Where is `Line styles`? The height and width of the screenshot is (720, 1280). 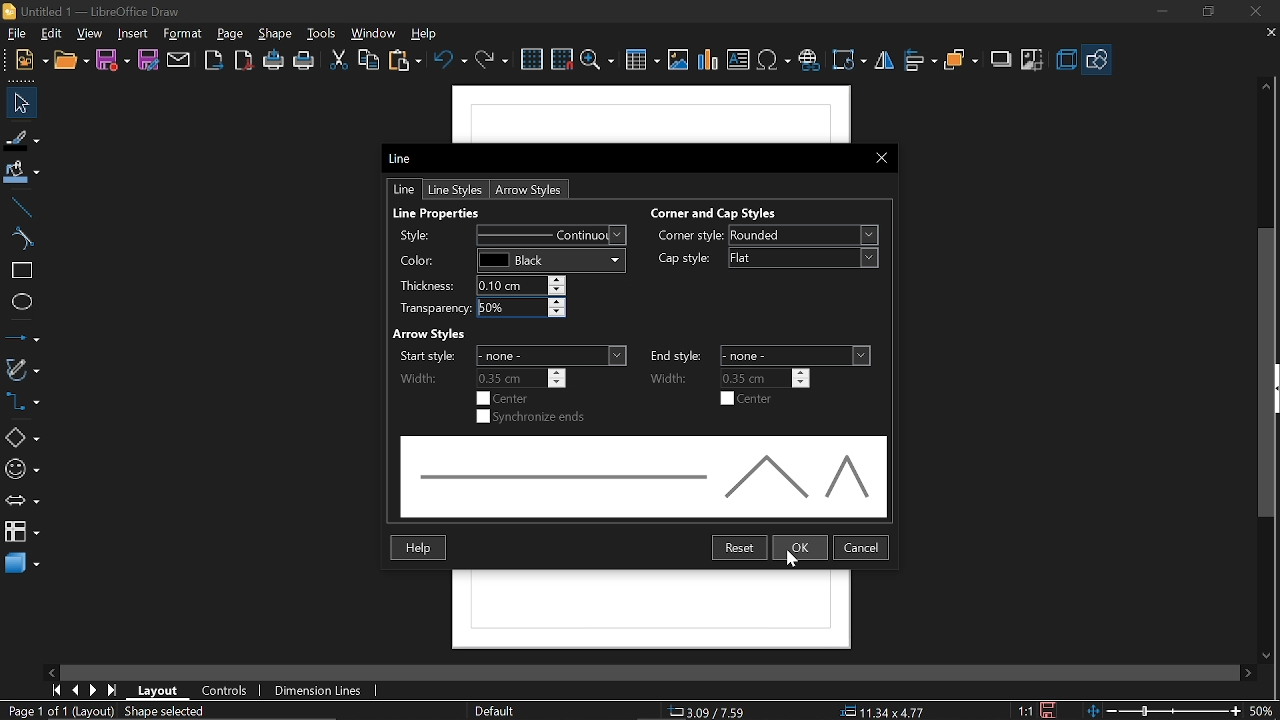
Line styles is located at coordinates (458, 190).